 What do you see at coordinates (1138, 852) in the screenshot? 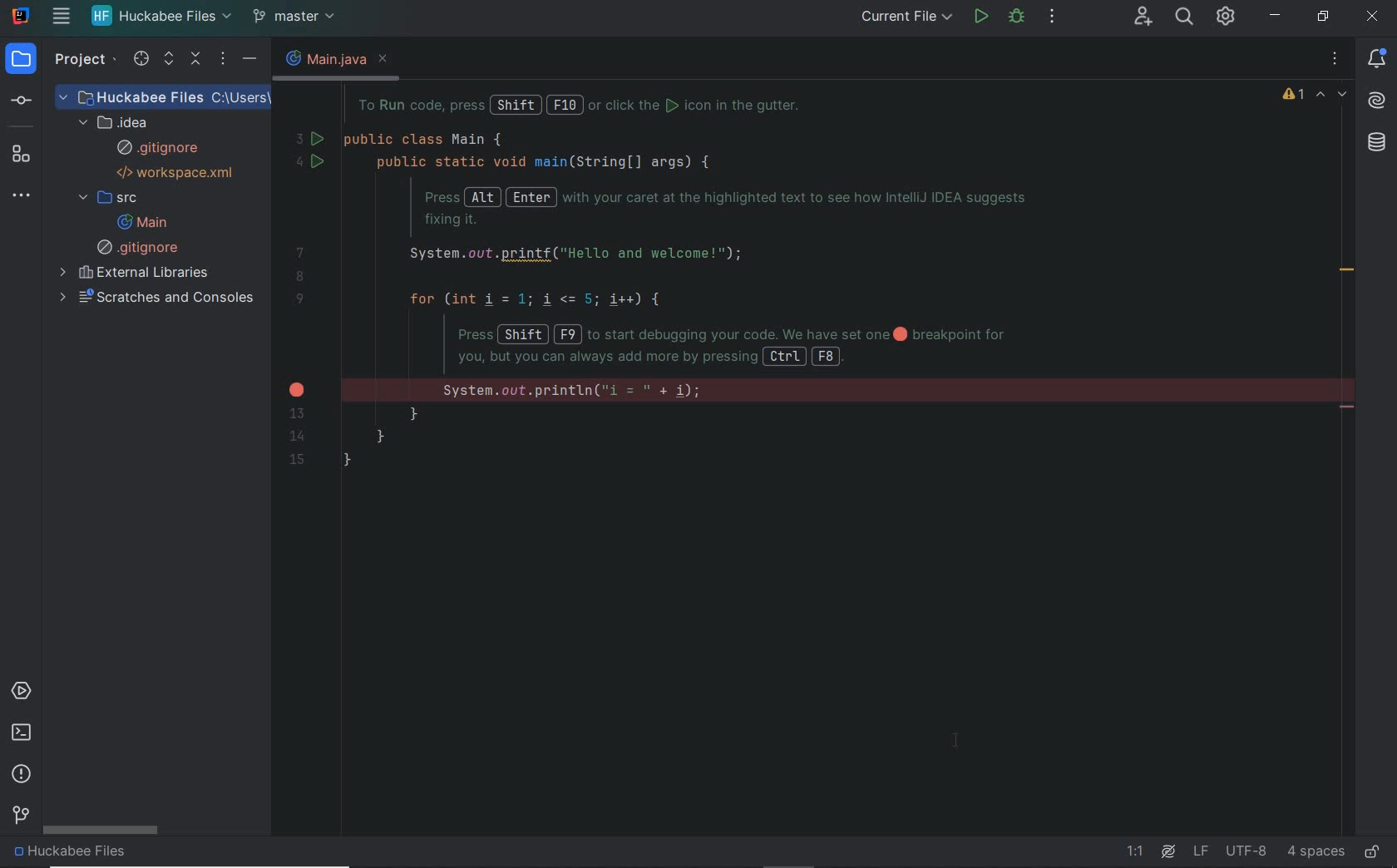
I see `go to line` at bounding box center [1138, 852].